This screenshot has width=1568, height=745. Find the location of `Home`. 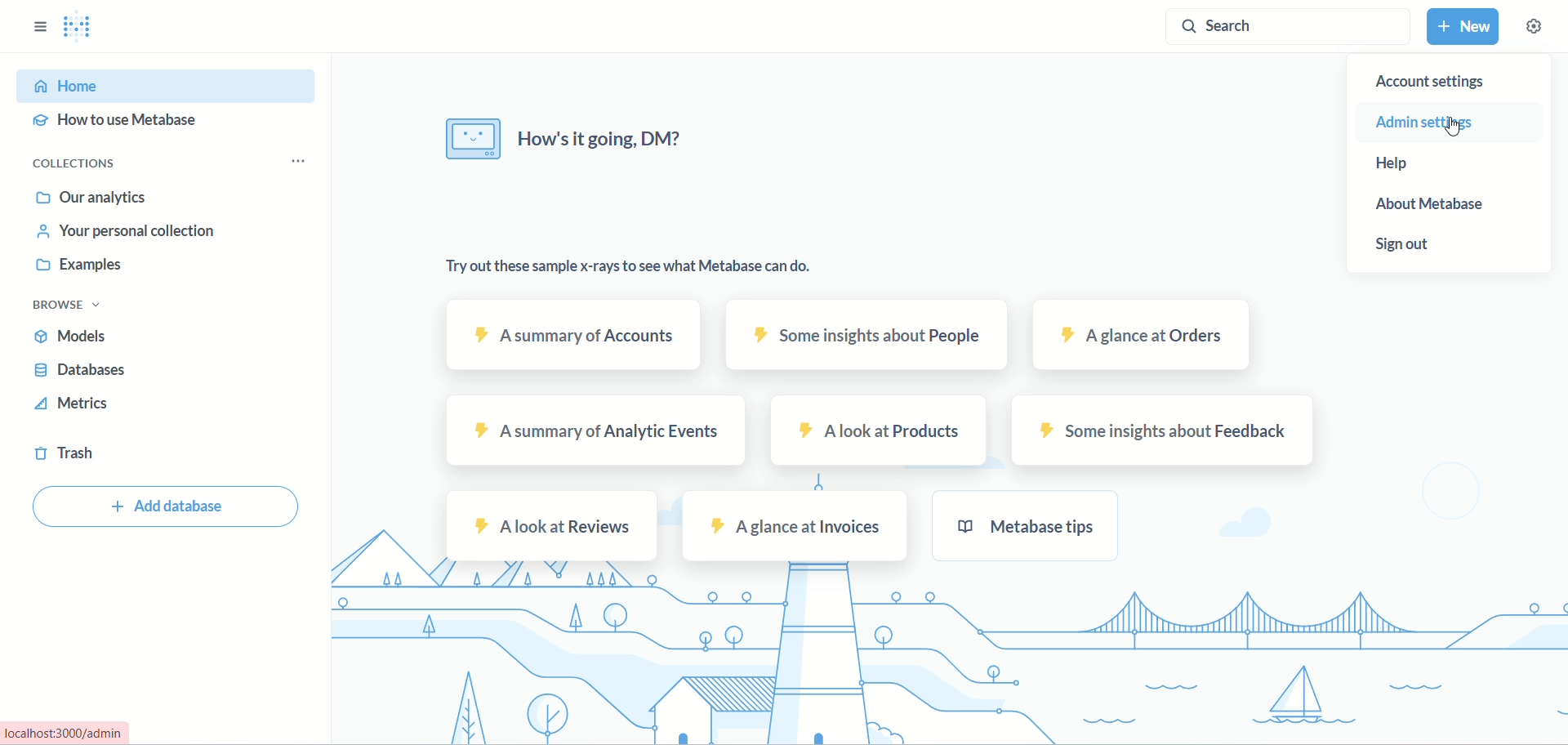

Home is located at coordinates (168, 85).